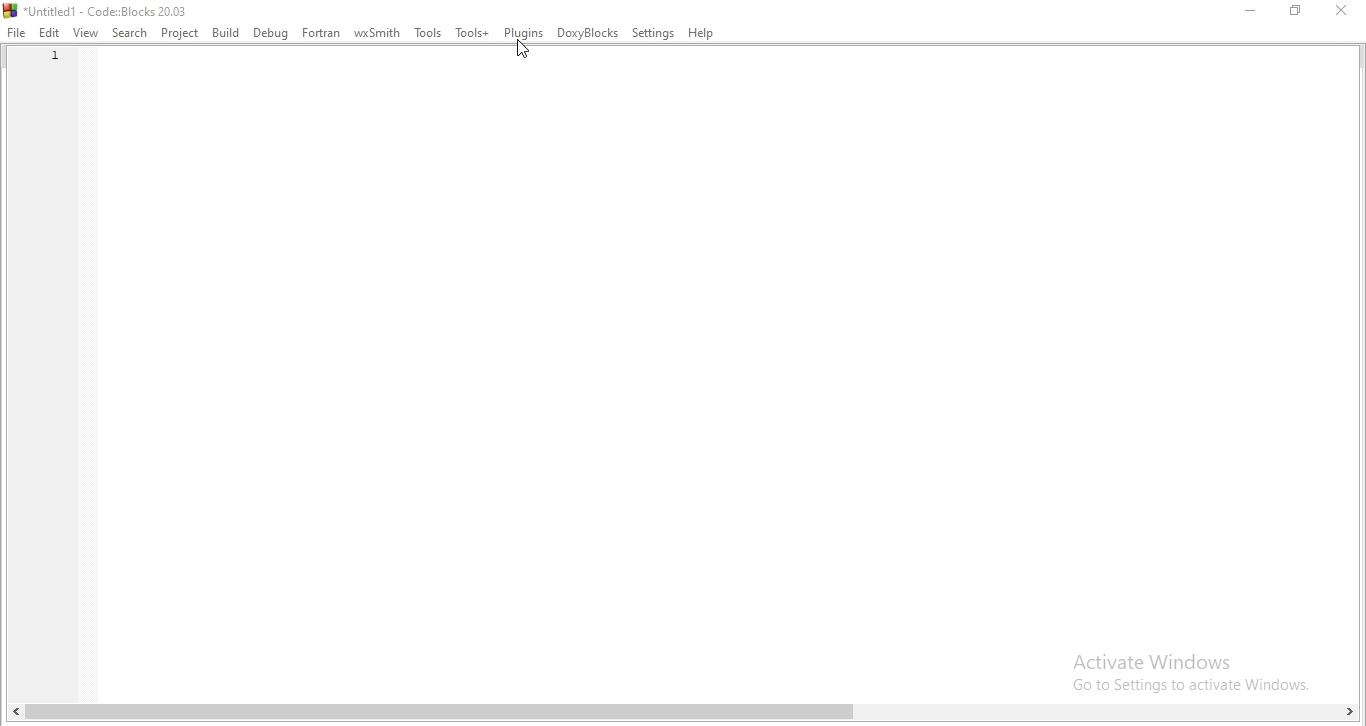 This screenshot has width=1366, height=726. What do you see at coordinates (523, 49) in the screenshot?
I see `cursor` at bounding box center [523, 49].